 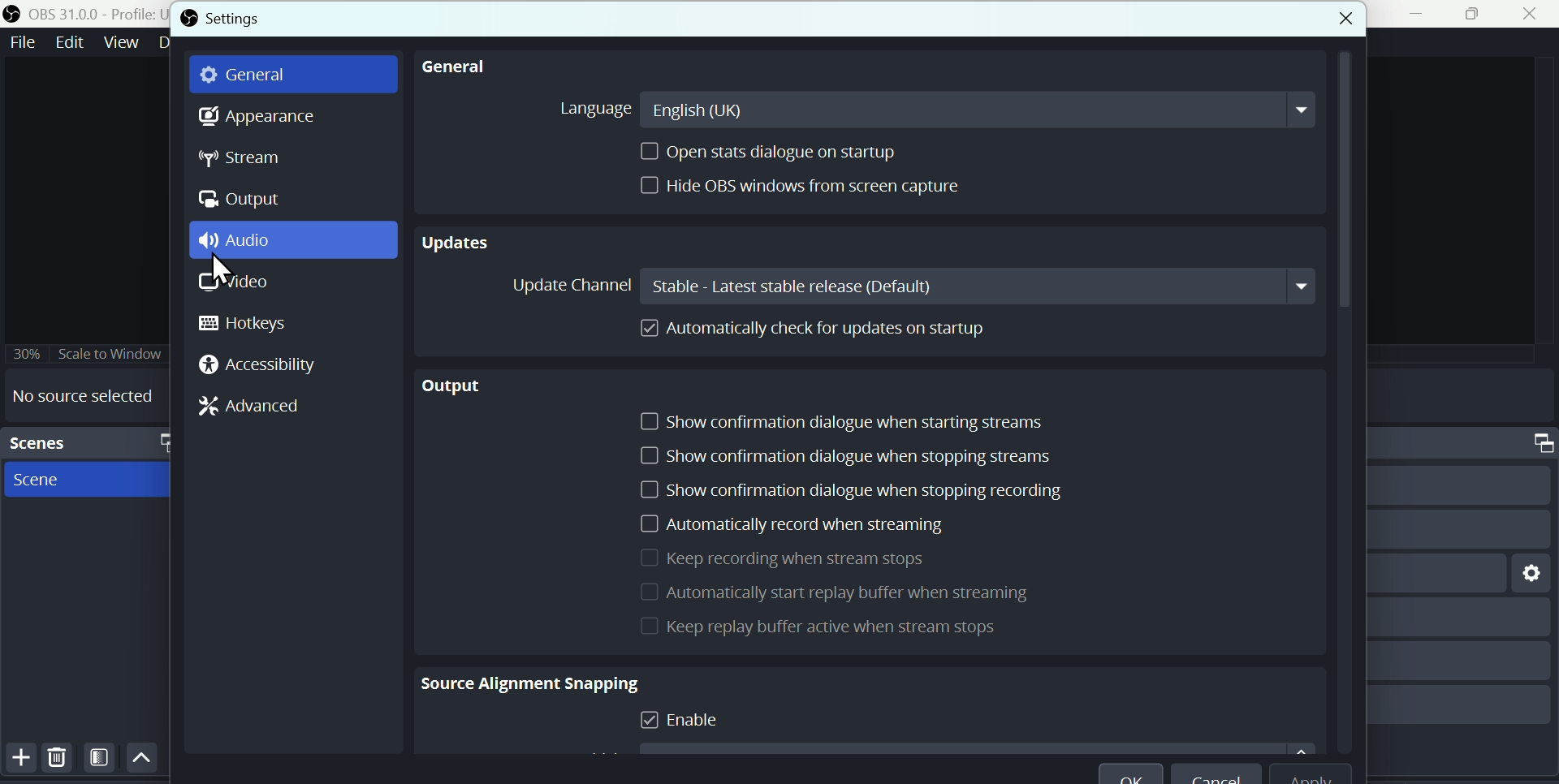 I want to click on Language, so click(x=593, y=108).